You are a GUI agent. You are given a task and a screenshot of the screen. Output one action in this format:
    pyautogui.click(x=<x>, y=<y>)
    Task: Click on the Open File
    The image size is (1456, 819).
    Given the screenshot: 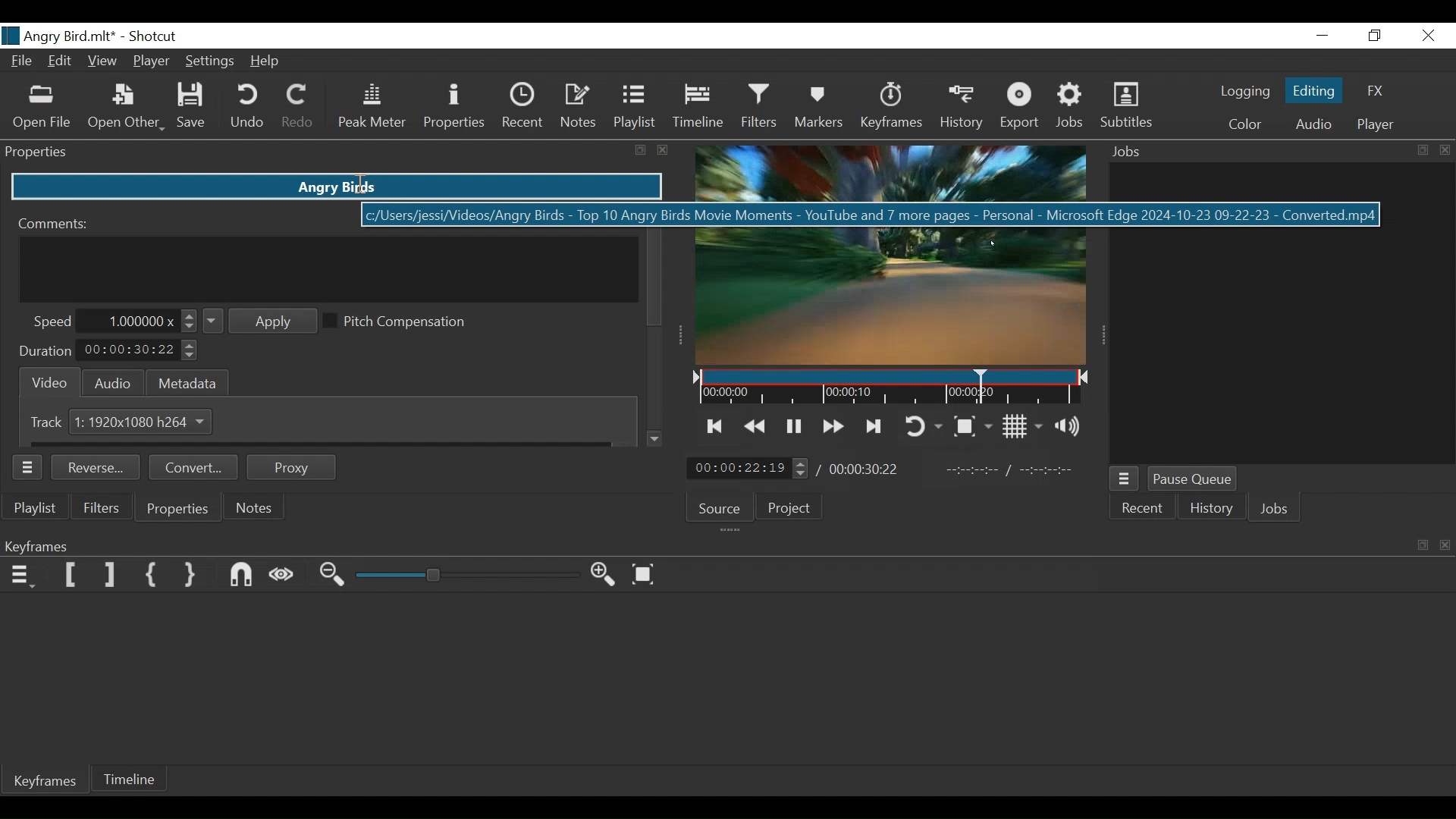 What is the action you would take?
    pyautogui.click(x=42, y=107)
    